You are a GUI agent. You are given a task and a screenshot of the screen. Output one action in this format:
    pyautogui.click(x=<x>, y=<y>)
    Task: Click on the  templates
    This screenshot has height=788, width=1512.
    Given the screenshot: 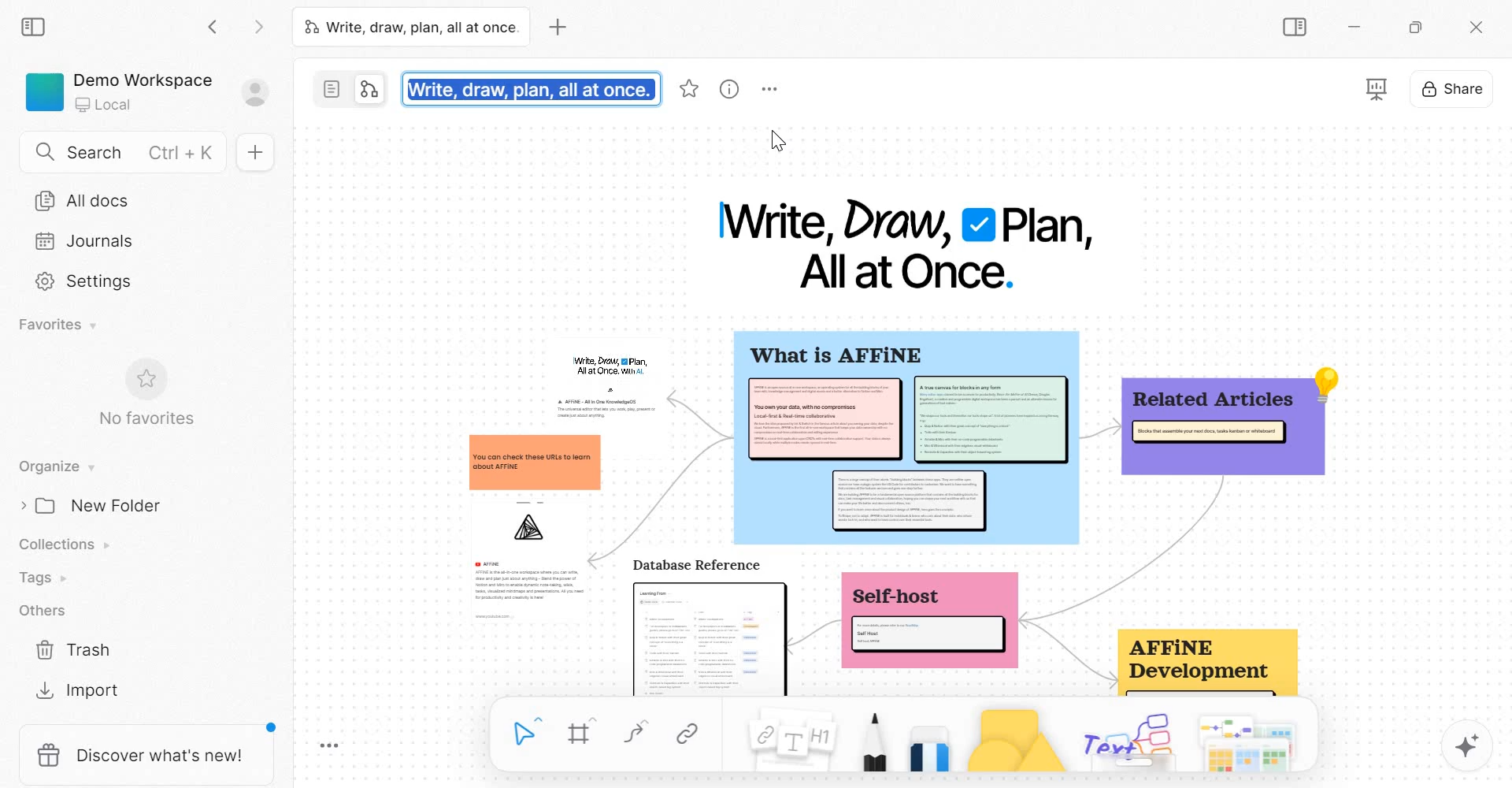 What is the action you would take?
    pyautogui.click(x=1247, y=742)
    